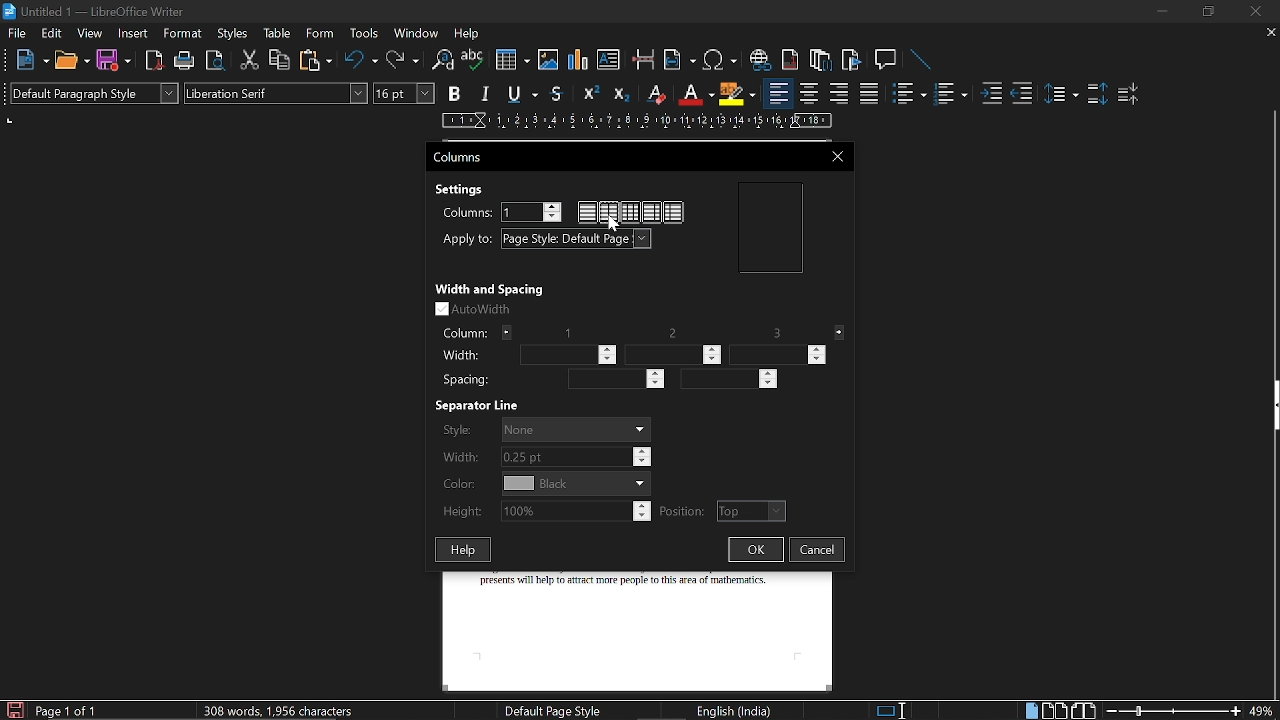 The image size is (1280, 720). What do you see at coordinates (778, 93) in the screenshot?
I see `Align left` at bounding box center [778, 93].